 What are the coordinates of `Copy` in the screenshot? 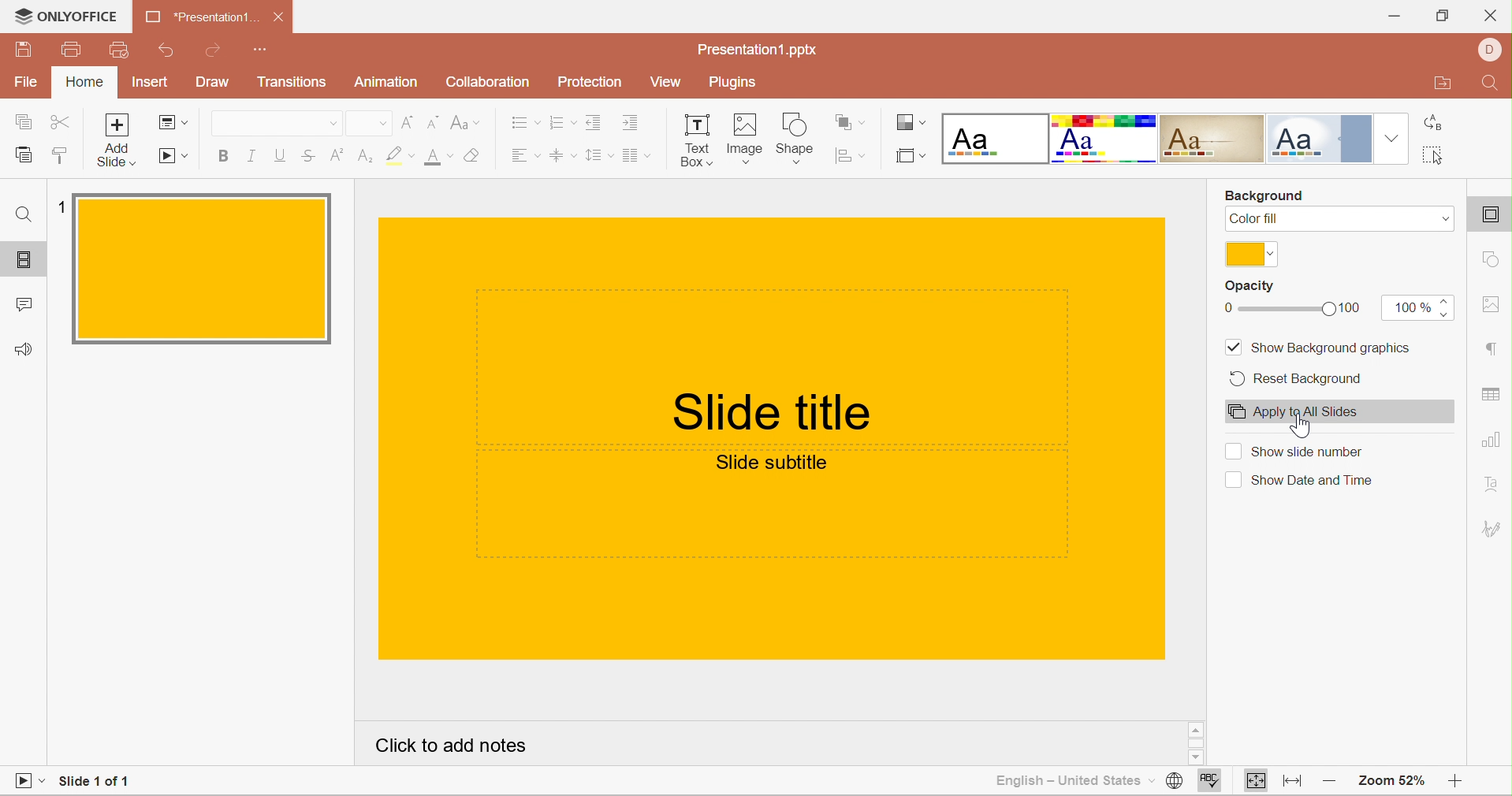 It's located at (20, 121).